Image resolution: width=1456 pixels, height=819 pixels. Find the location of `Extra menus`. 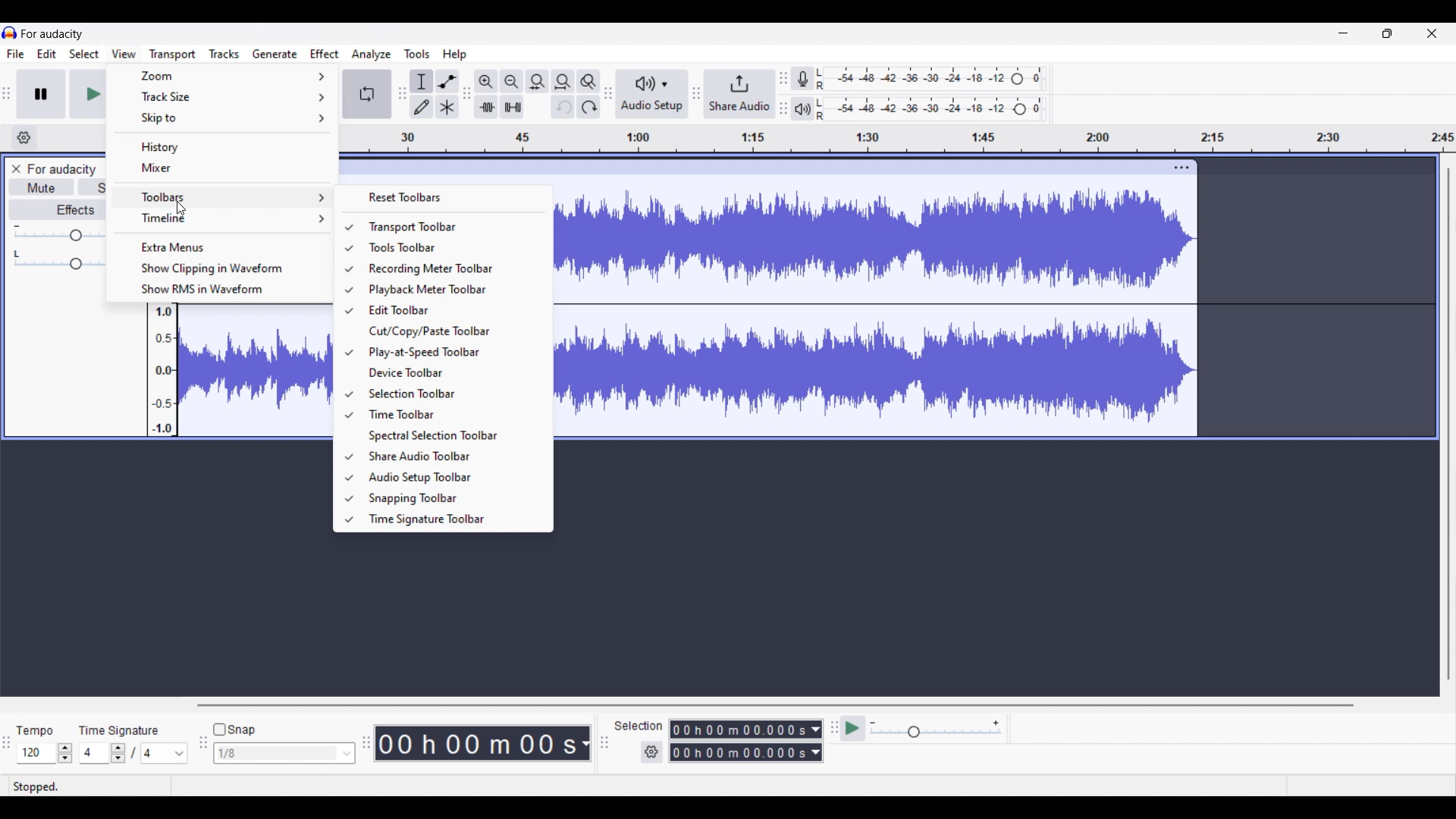

Extra menus is located at coordinates (219, 247).